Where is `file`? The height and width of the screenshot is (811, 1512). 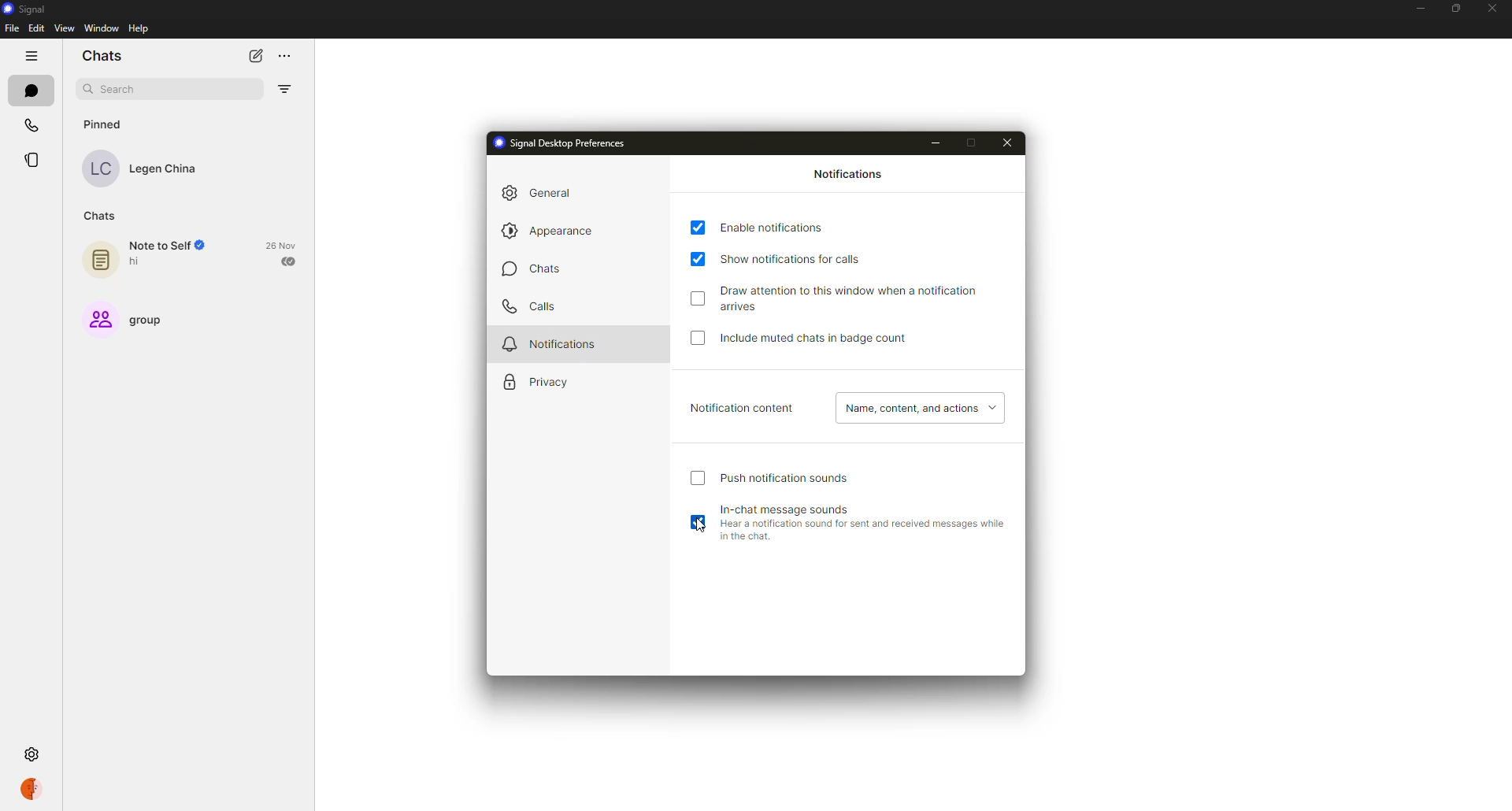 file is located at coordinates (12, 29).